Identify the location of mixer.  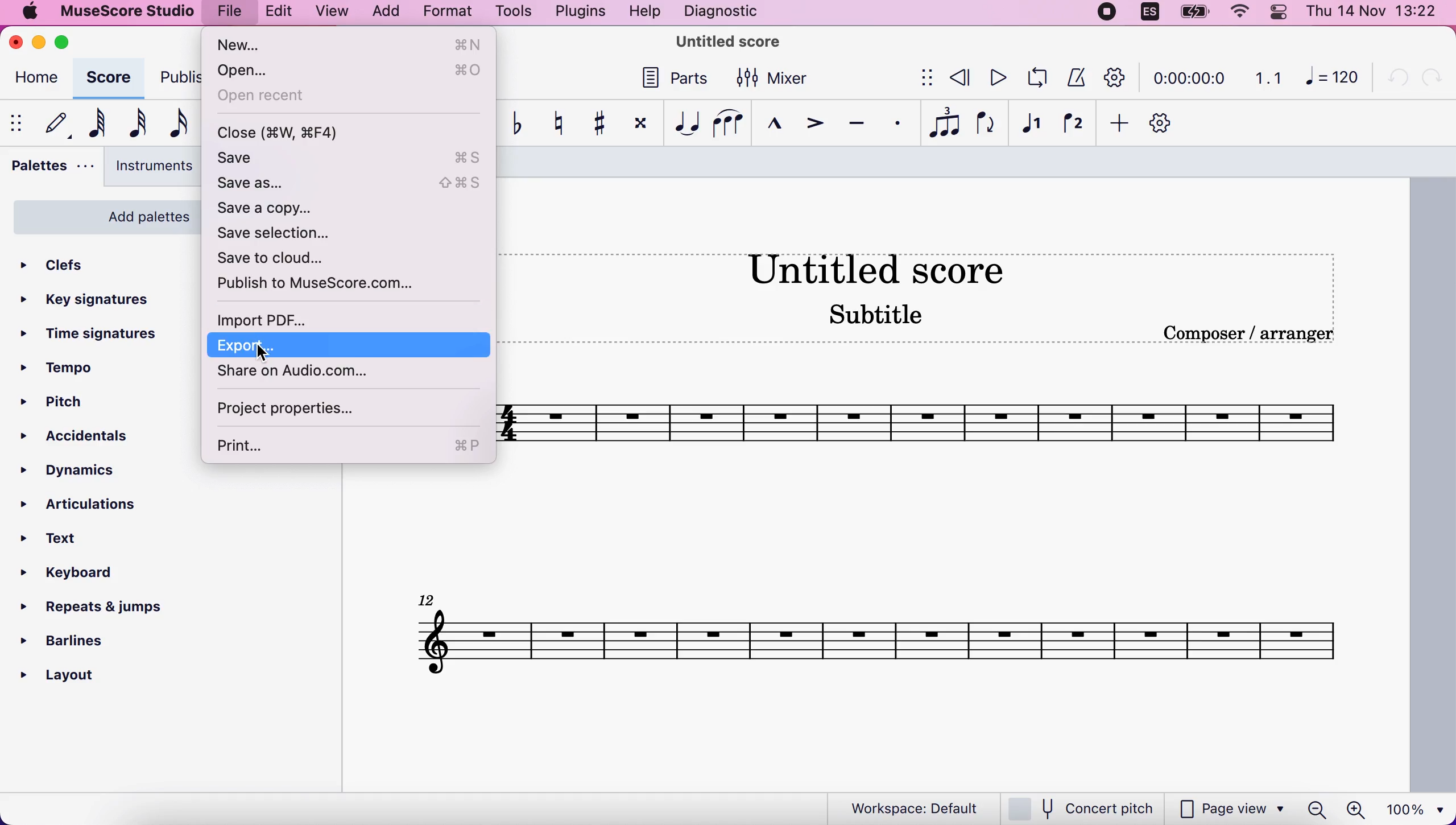
(778, 77).